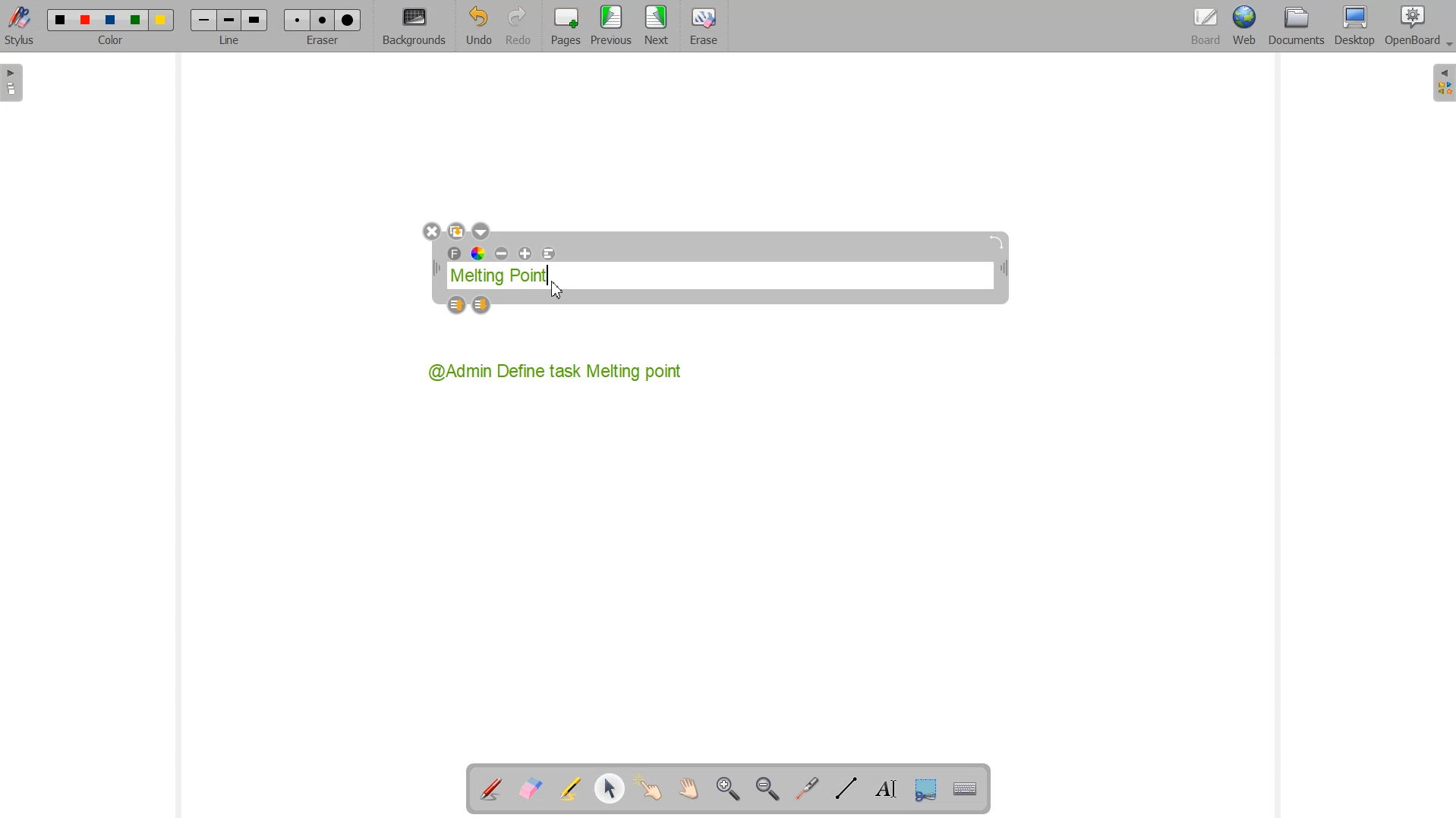 This screenshot has width=1456, height=818. I want to click on Scroll page, so click(686, 789).